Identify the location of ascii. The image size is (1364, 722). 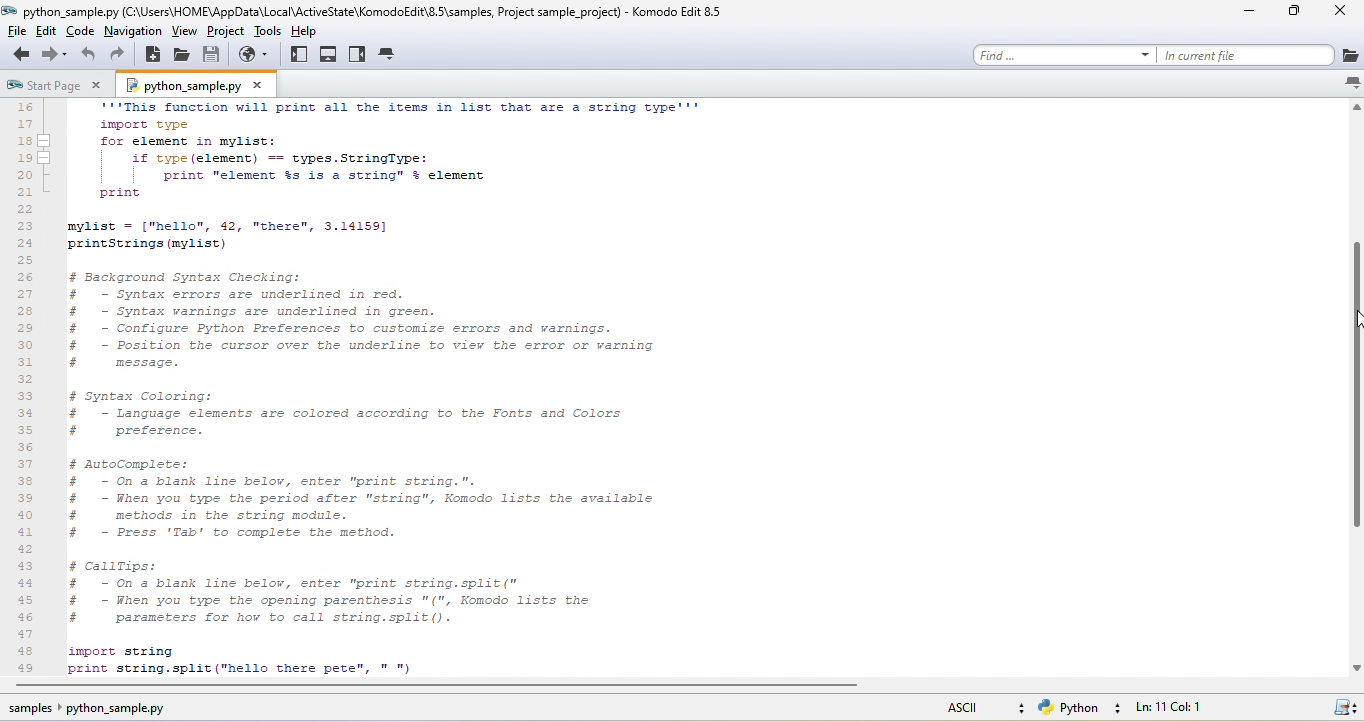
(981, 705).